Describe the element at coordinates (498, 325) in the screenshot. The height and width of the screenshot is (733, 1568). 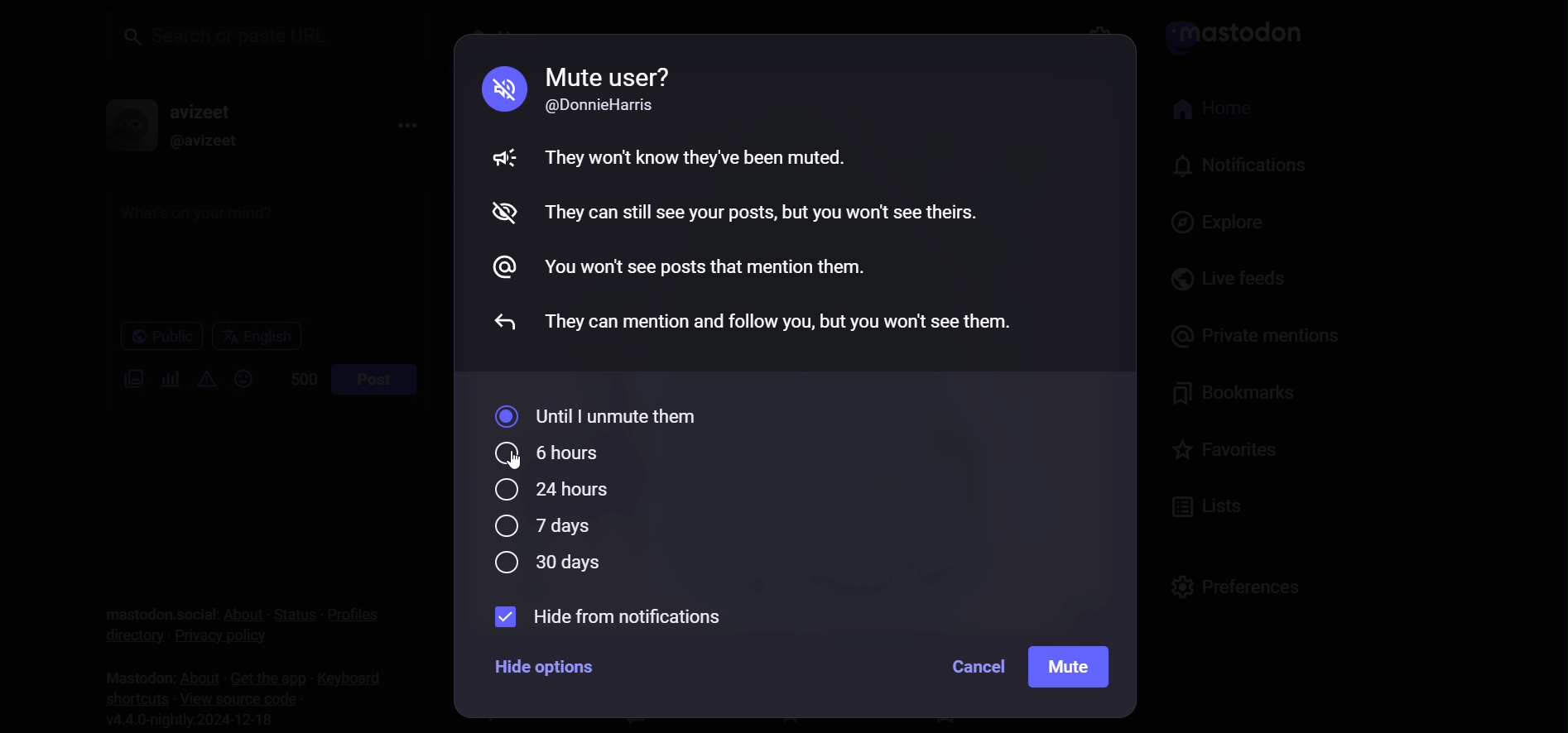
I see `reply` at that location.